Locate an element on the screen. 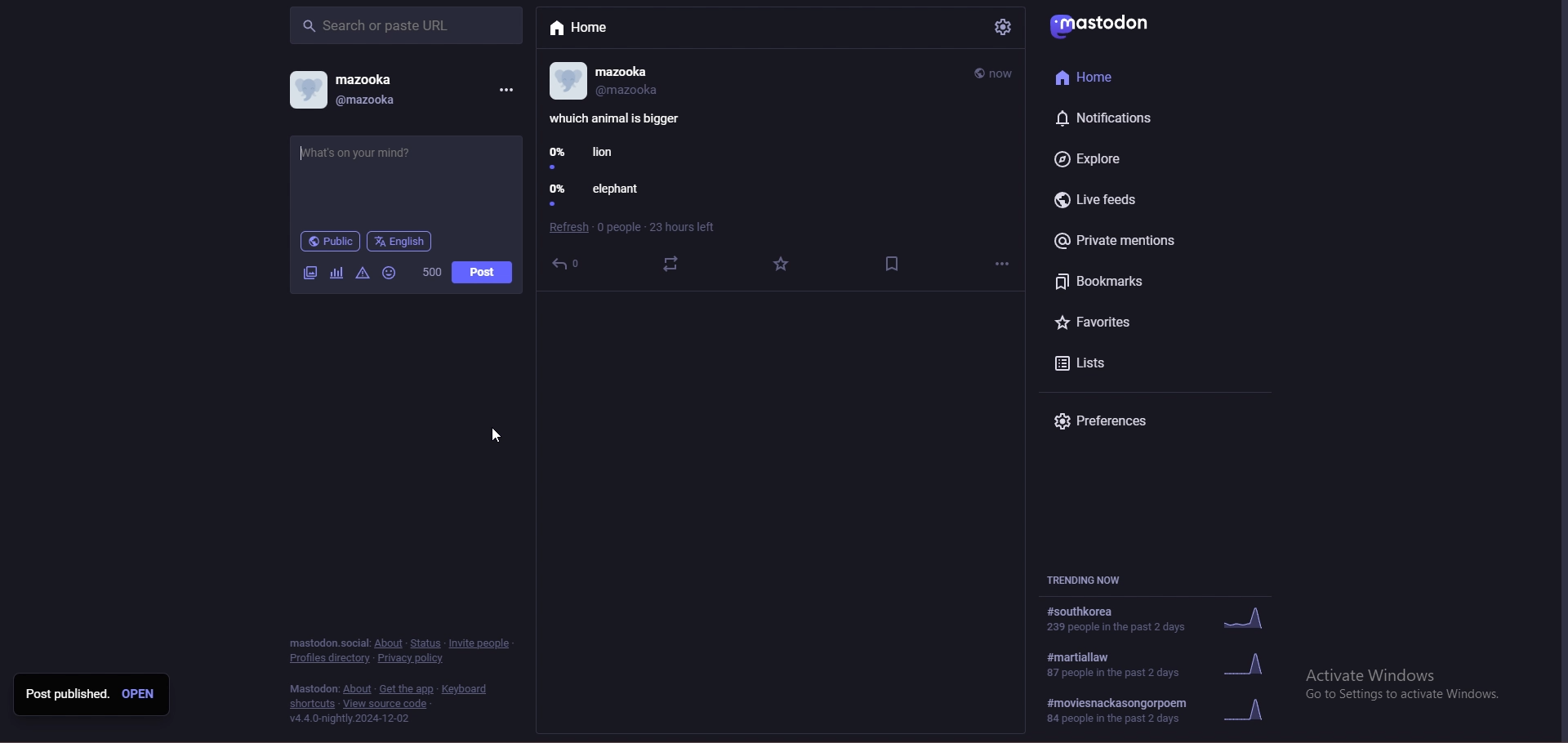  lists is located at coordinates (1111, 363).